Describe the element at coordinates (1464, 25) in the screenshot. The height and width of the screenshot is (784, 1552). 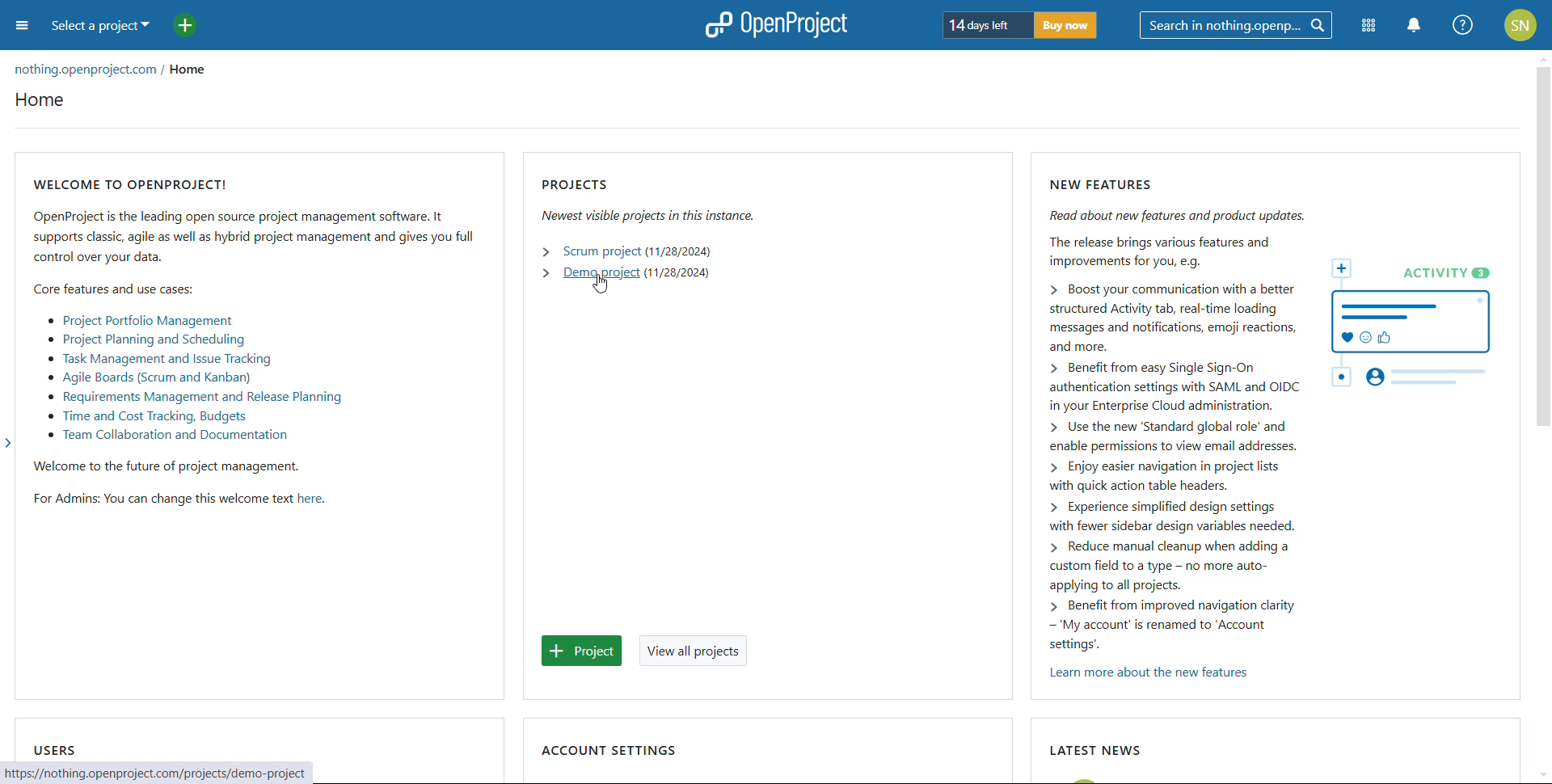
I see `help` at that location.